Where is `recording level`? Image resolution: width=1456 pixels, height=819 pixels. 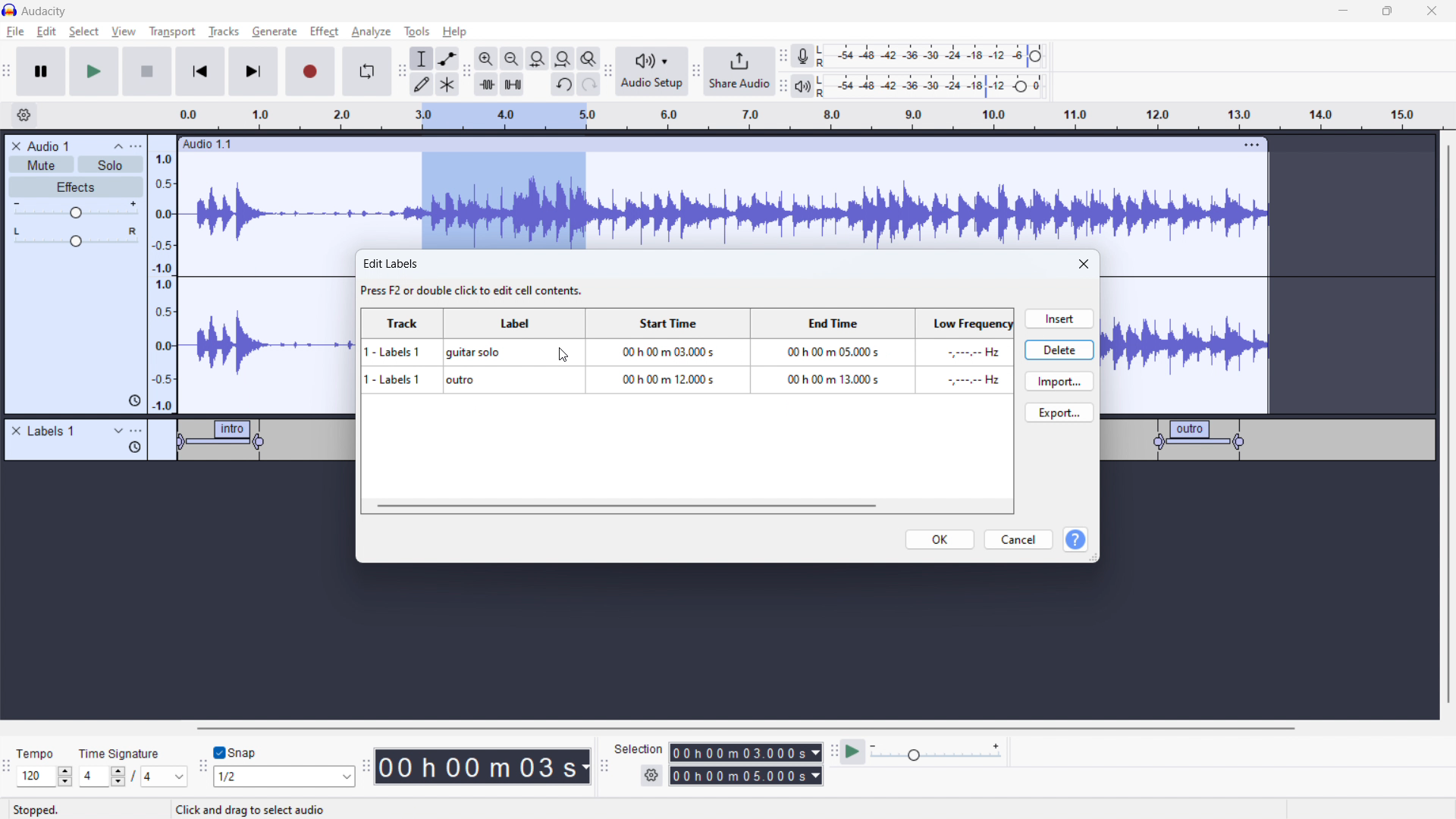
recording level is located at coordinates (940, 56).